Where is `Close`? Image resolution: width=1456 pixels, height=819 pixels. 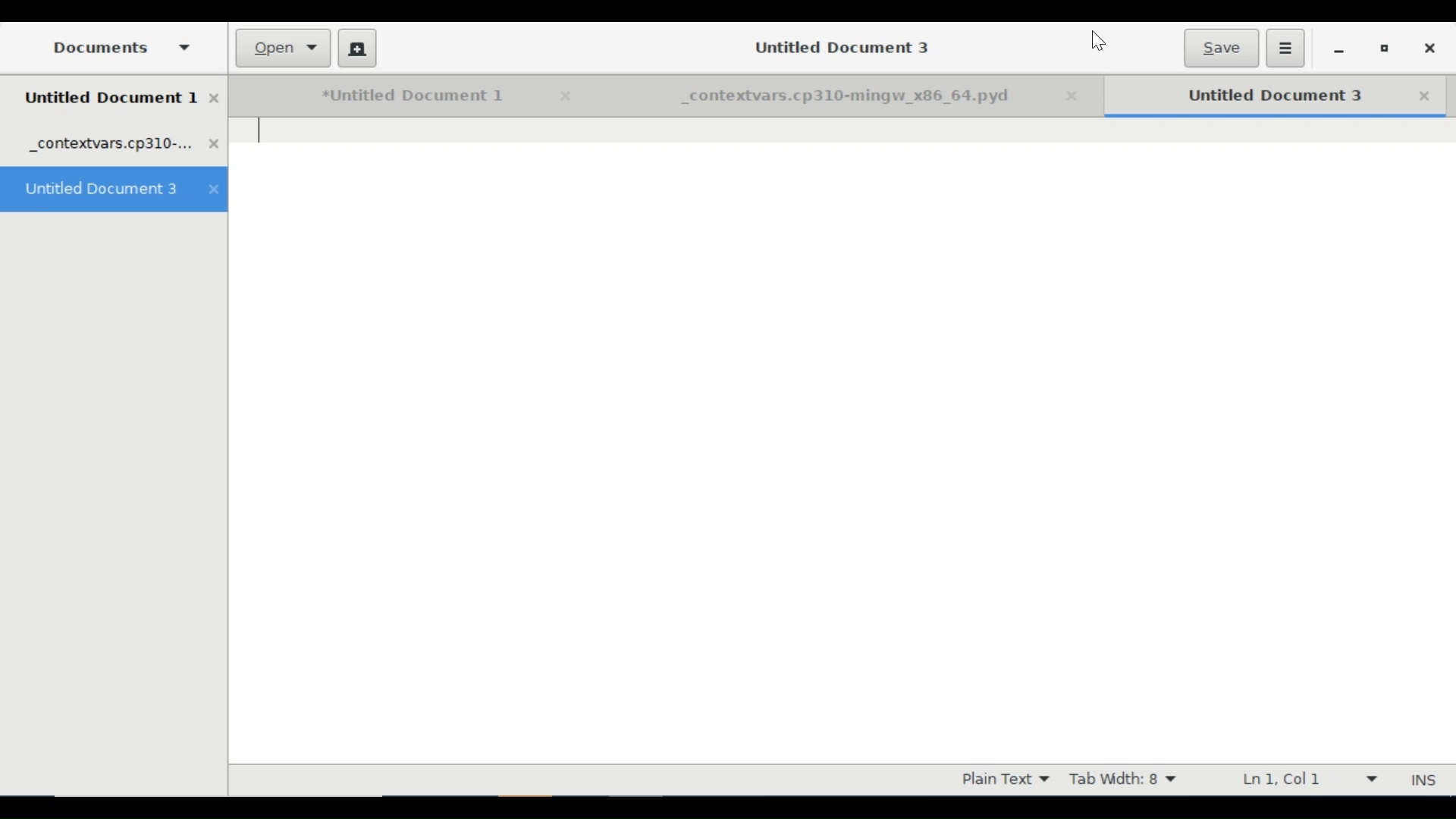 Close is located at coordinates (1078, 97).